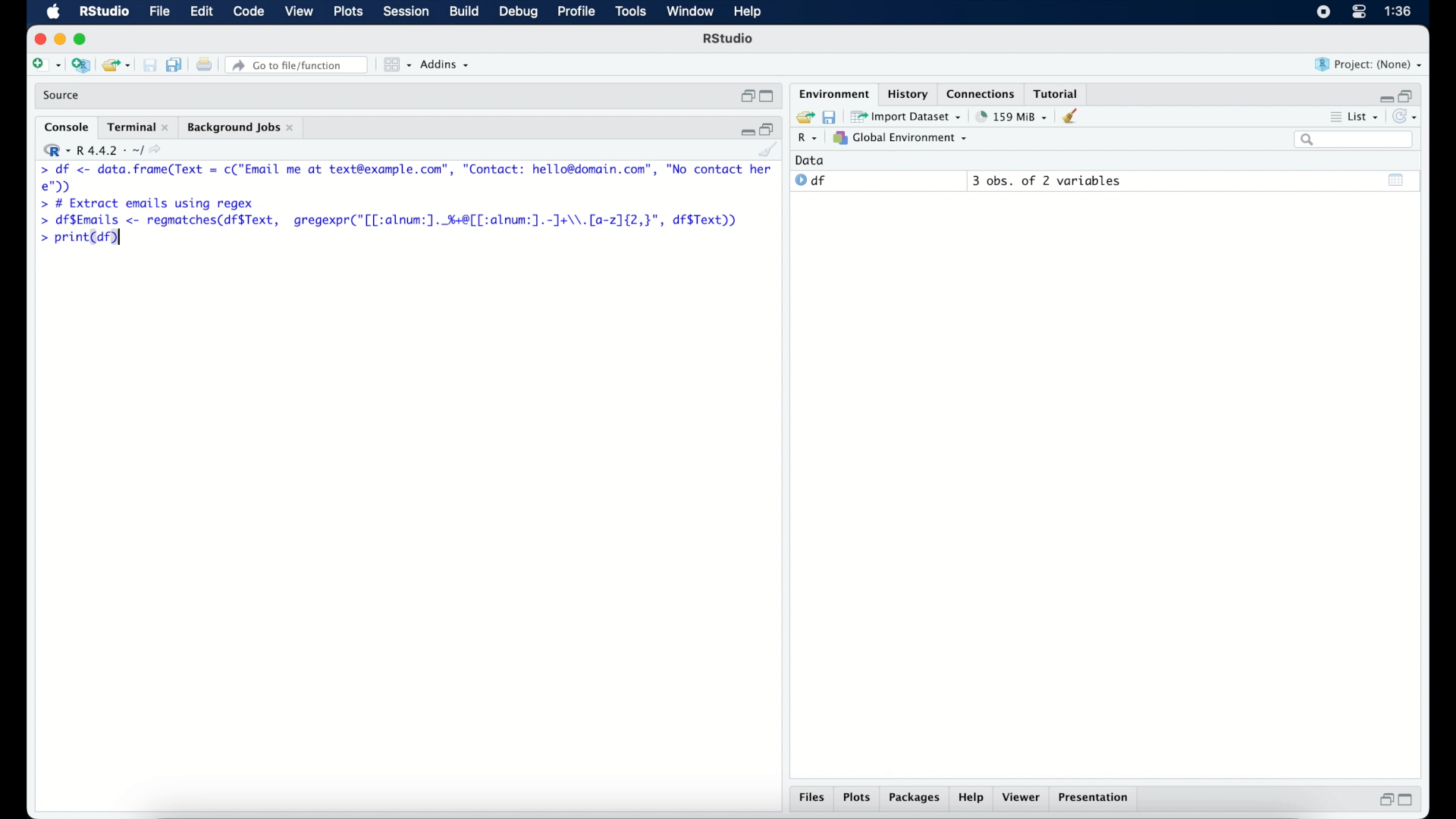  What do you see at coordinates (1059, 92) in the screenshot?
I see `tutorial` at bounding box center [1059, 92].